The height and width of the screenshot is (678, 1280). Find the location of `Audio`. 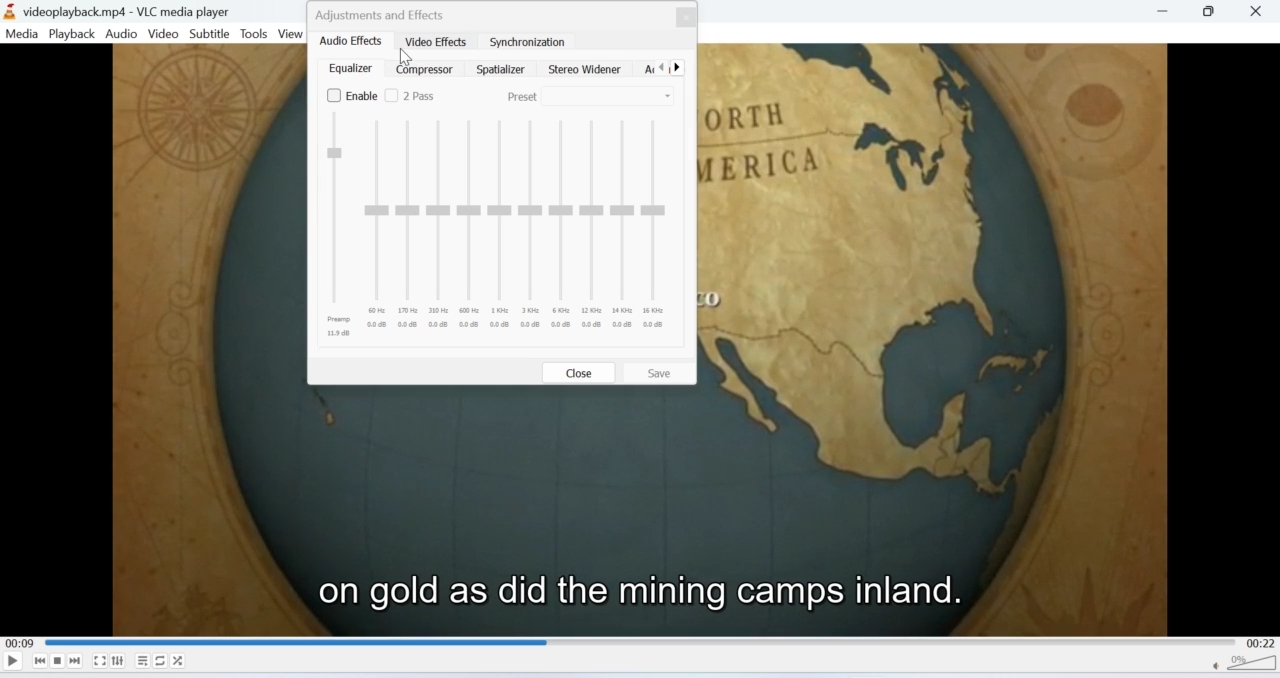

Audio is located at coordinates (122, 34).